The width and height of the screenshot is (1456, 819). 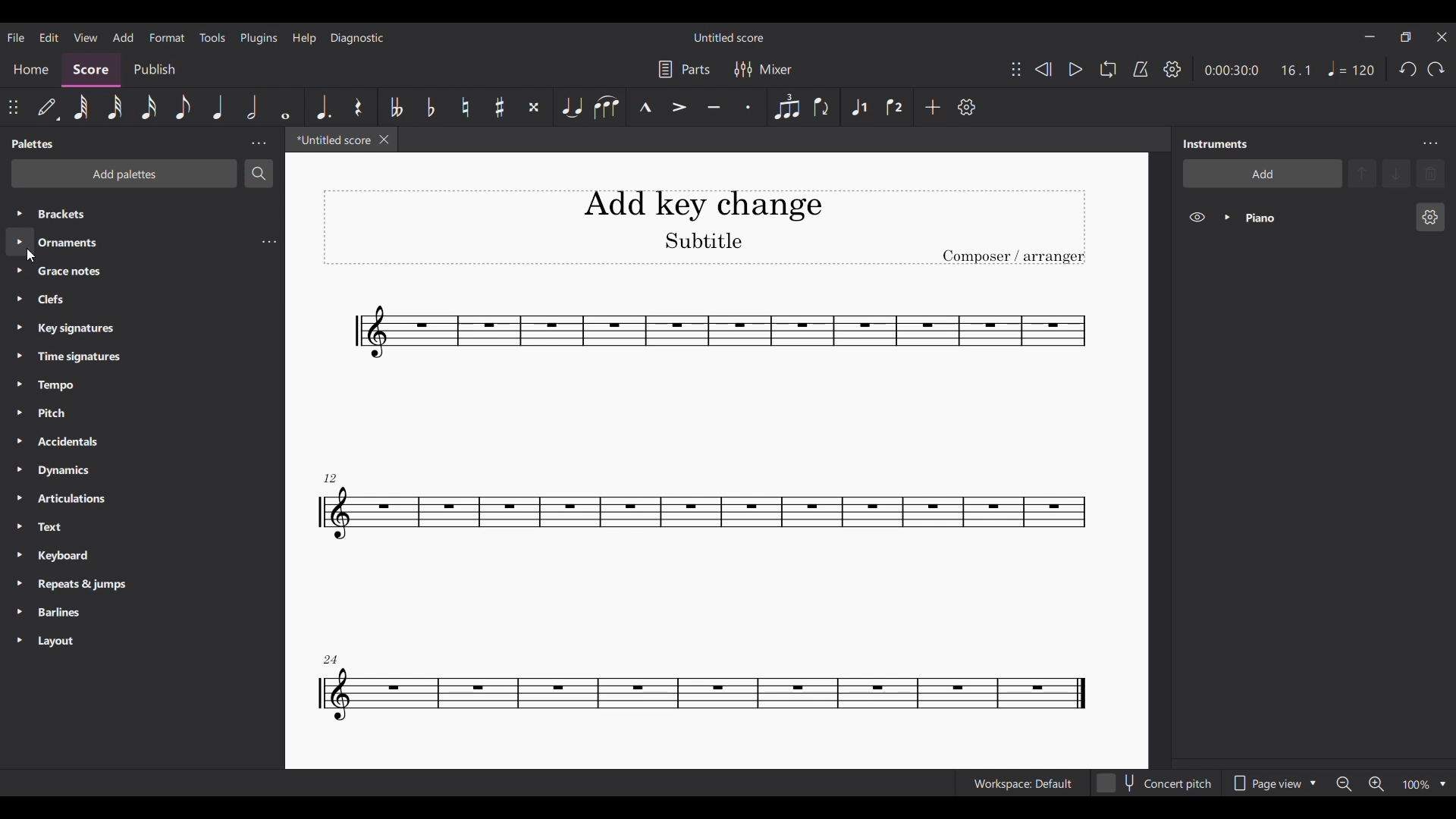 What do you see at coordinates (1431, 217) in the screenshot?
I see `Piano settings` at bounding box center [1431, 217].